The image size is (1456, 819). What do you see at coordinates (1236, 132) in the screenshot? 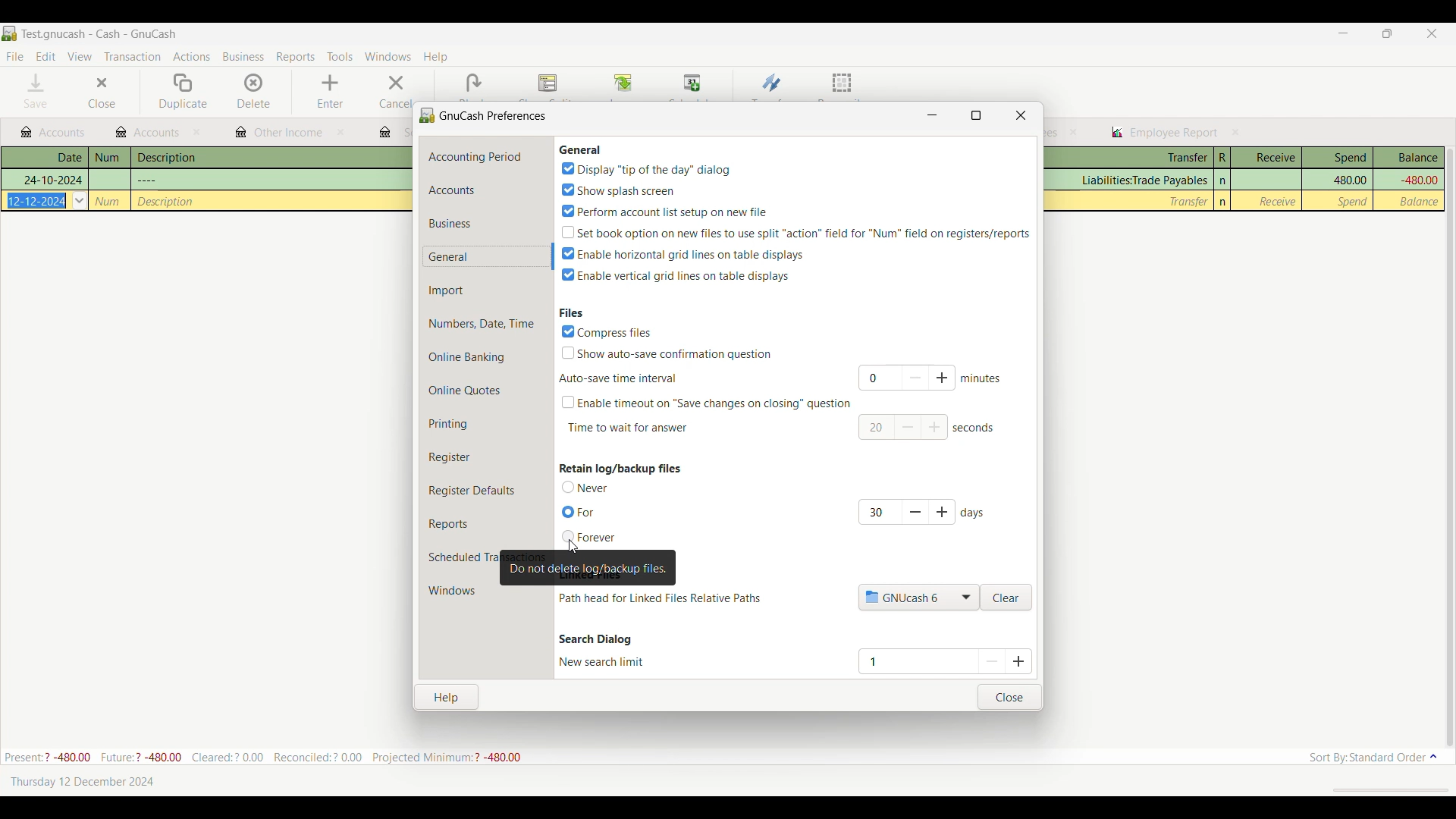
I see `close` at bounding box center [1236, 132].